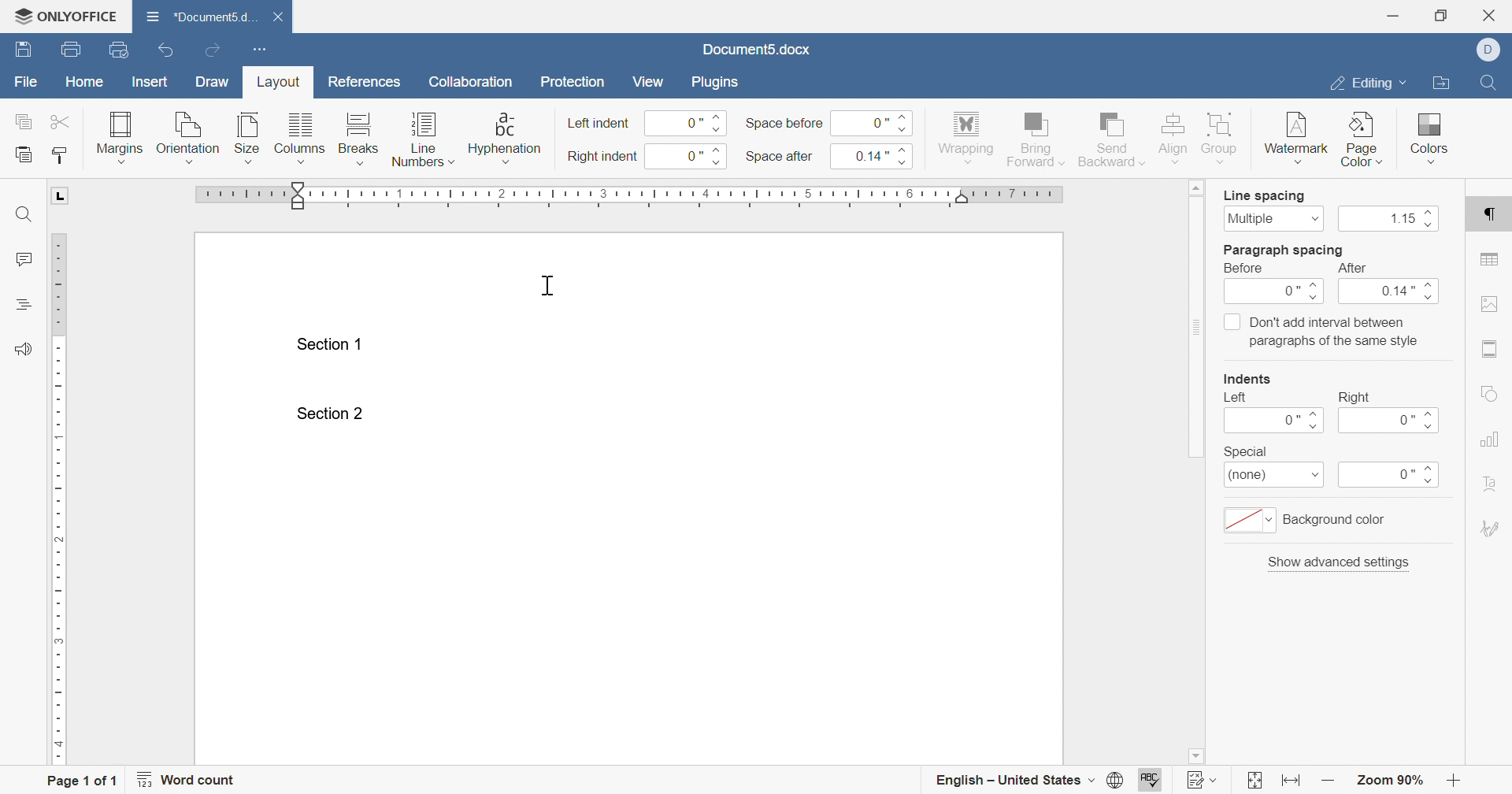 The image size is (1512, 794). What do you see at coordinates (1431, 136) in the screenshot?
I see `colors` at bounding box center [1431, 136].